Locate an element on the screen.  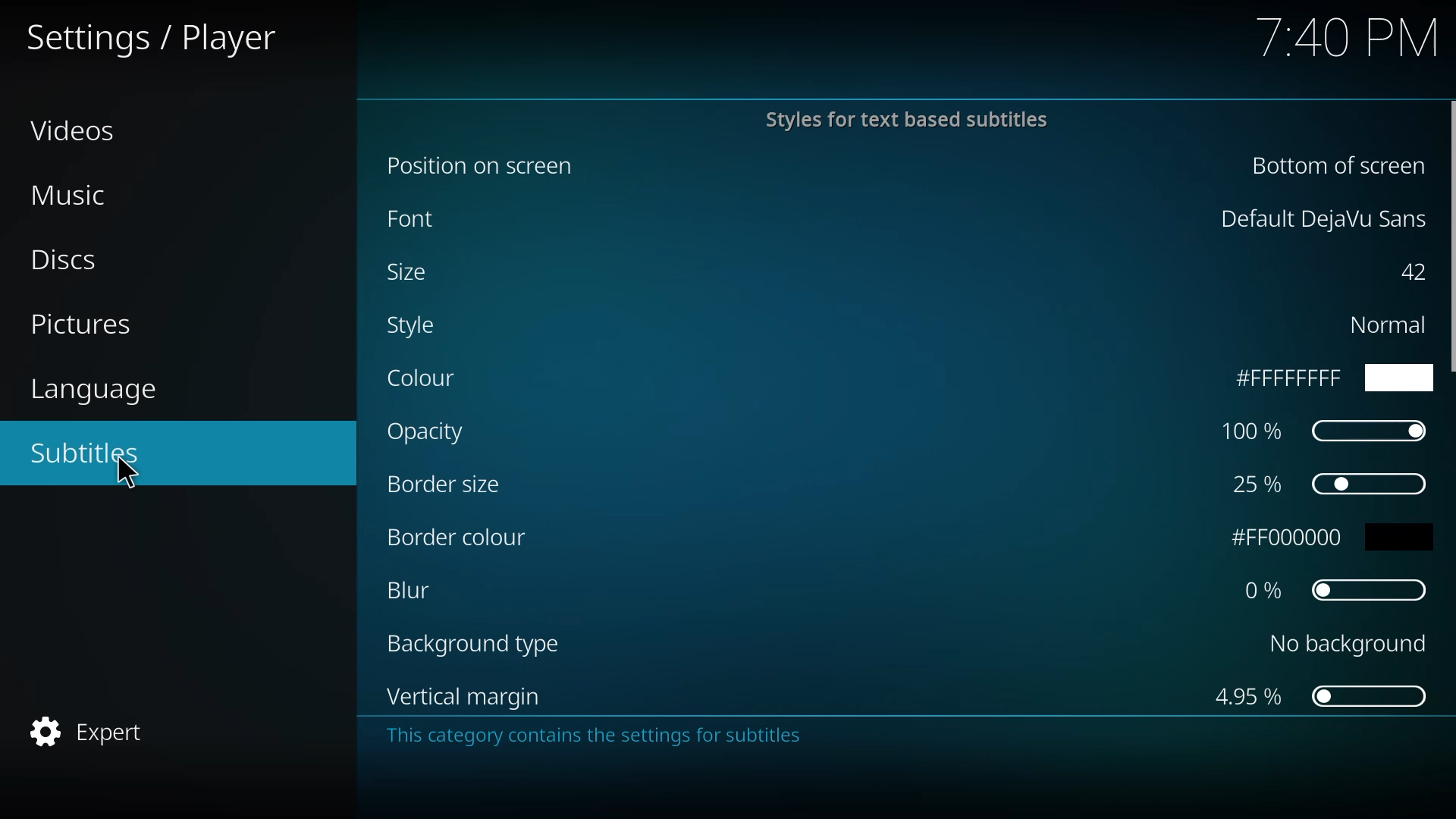
bottom of screen is located at coordinates (1340, 165).